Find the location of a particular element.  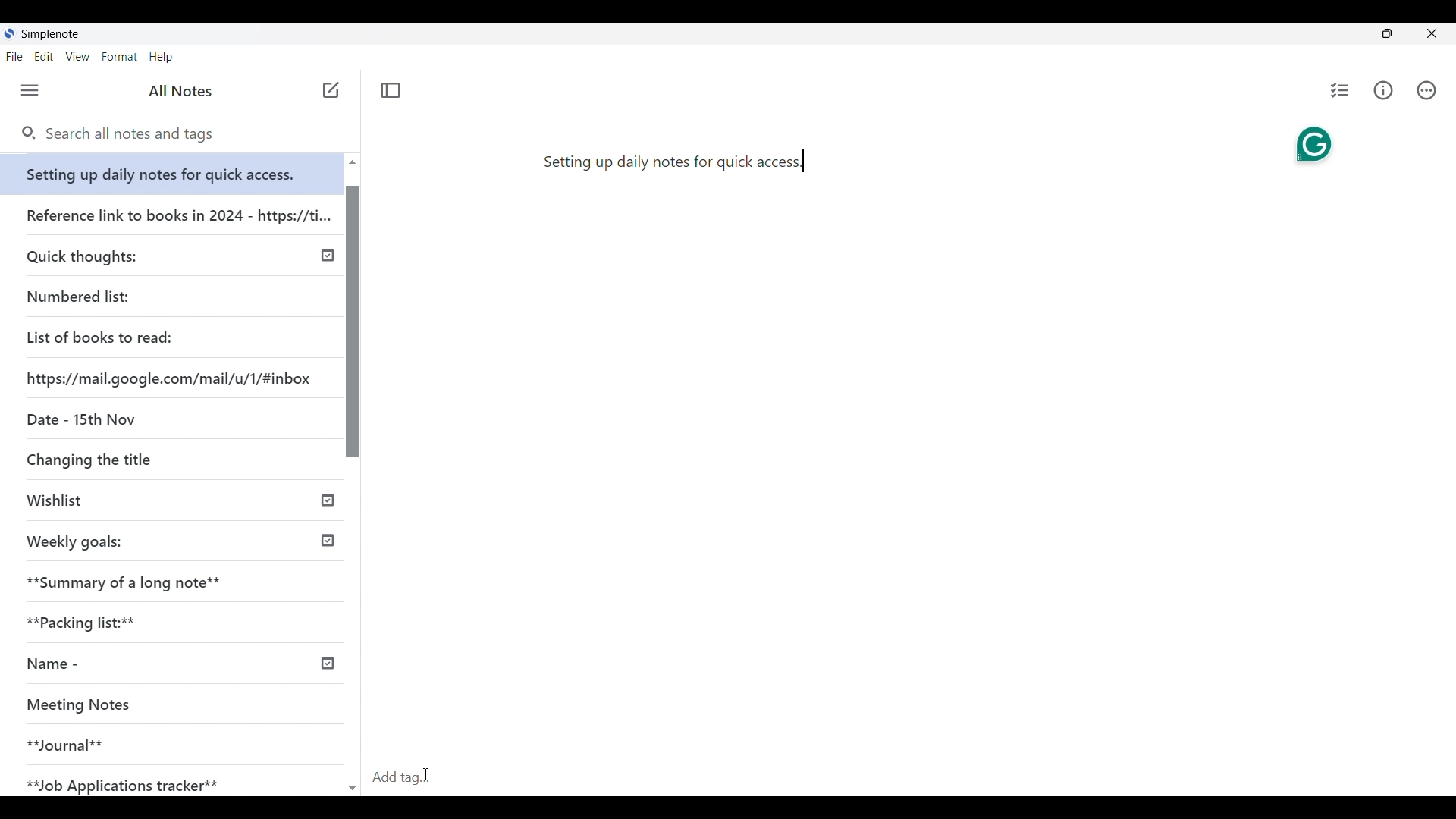

Weekly goals is located at coordinates (74, 540).